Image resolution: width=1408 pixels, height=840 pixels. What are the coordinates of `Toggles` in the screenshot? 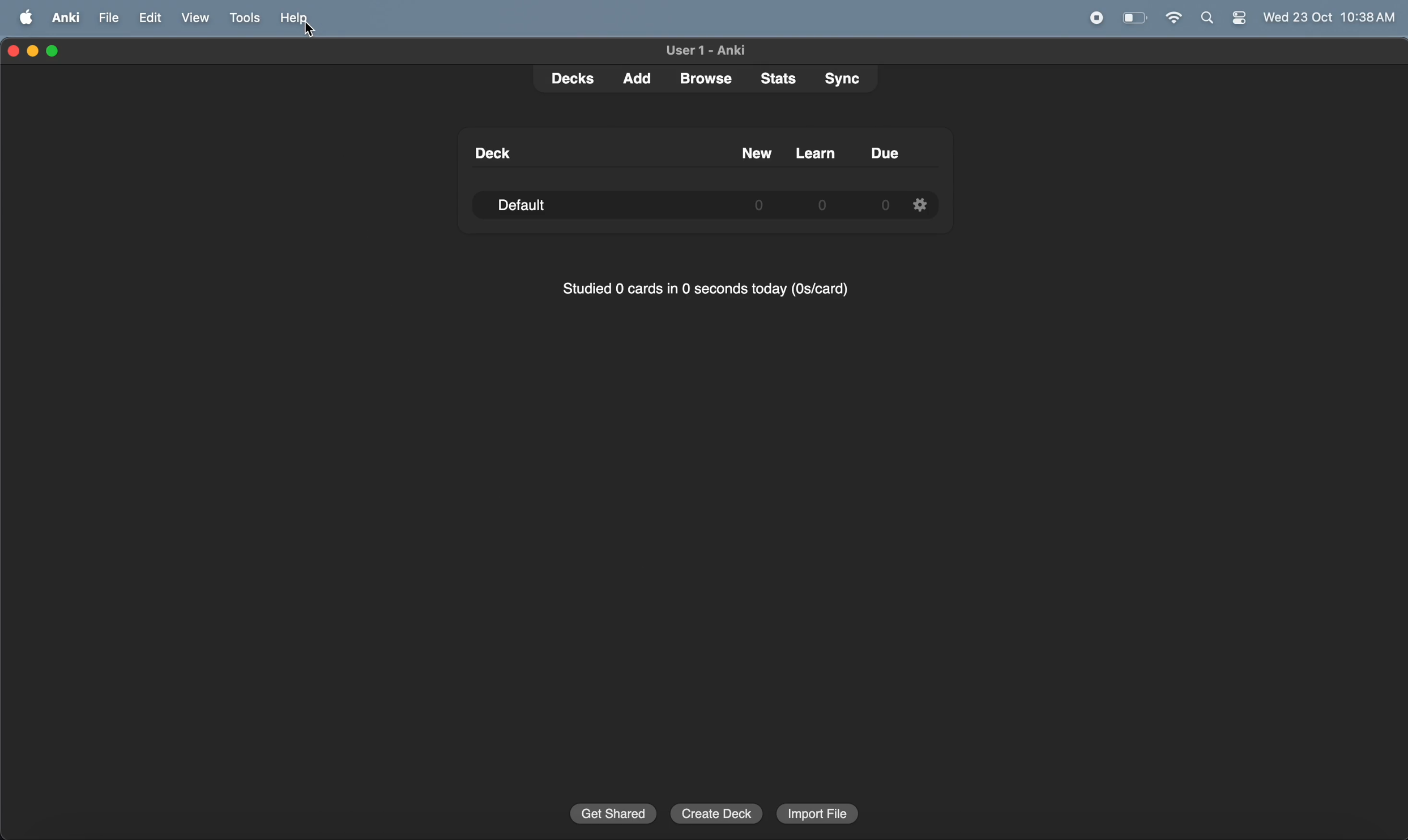 It's located at (1239, 19).